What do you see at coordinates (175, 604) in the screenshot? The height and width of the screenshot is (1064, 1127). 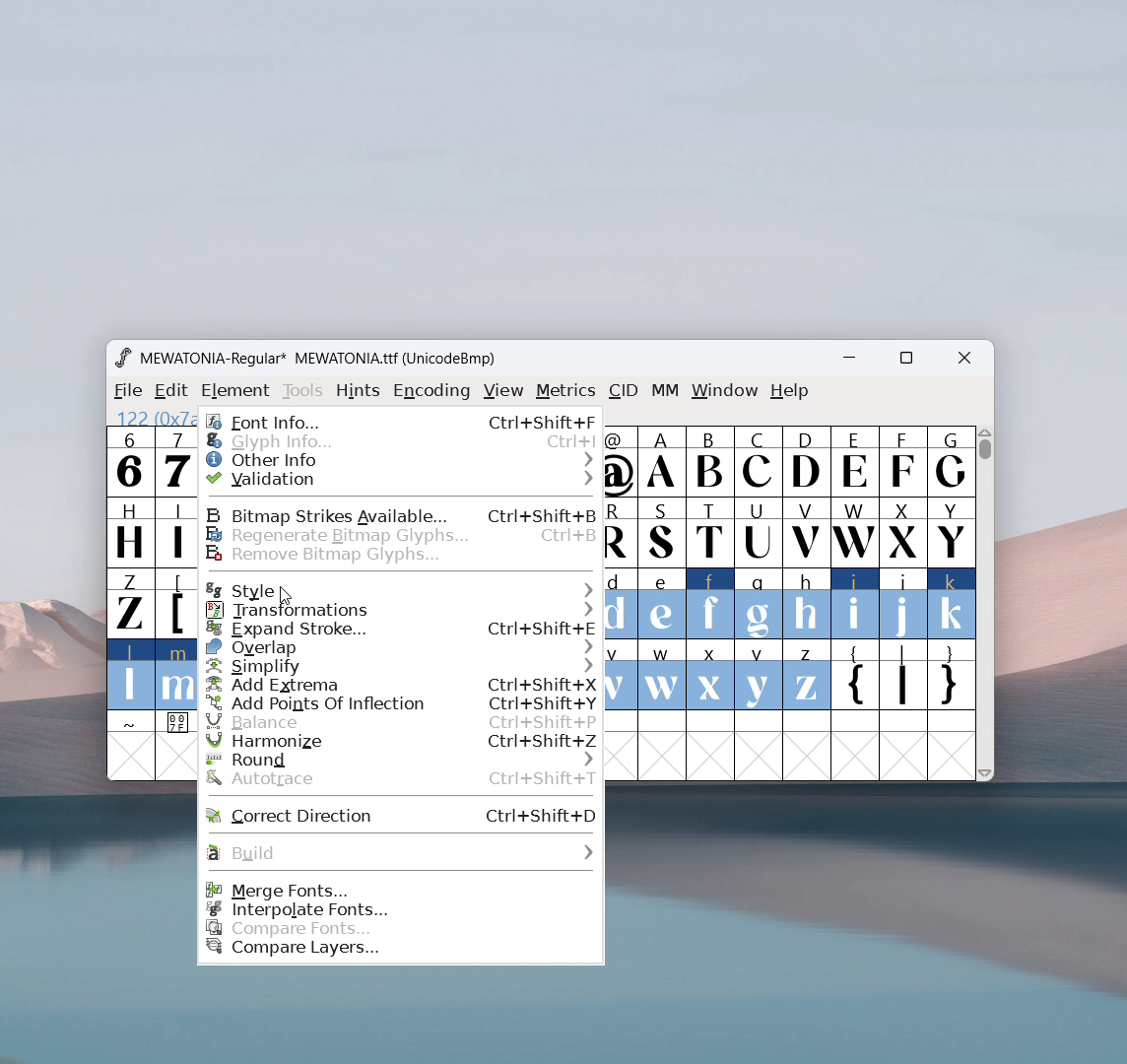 I see `[` at bounding box center [175, 604].